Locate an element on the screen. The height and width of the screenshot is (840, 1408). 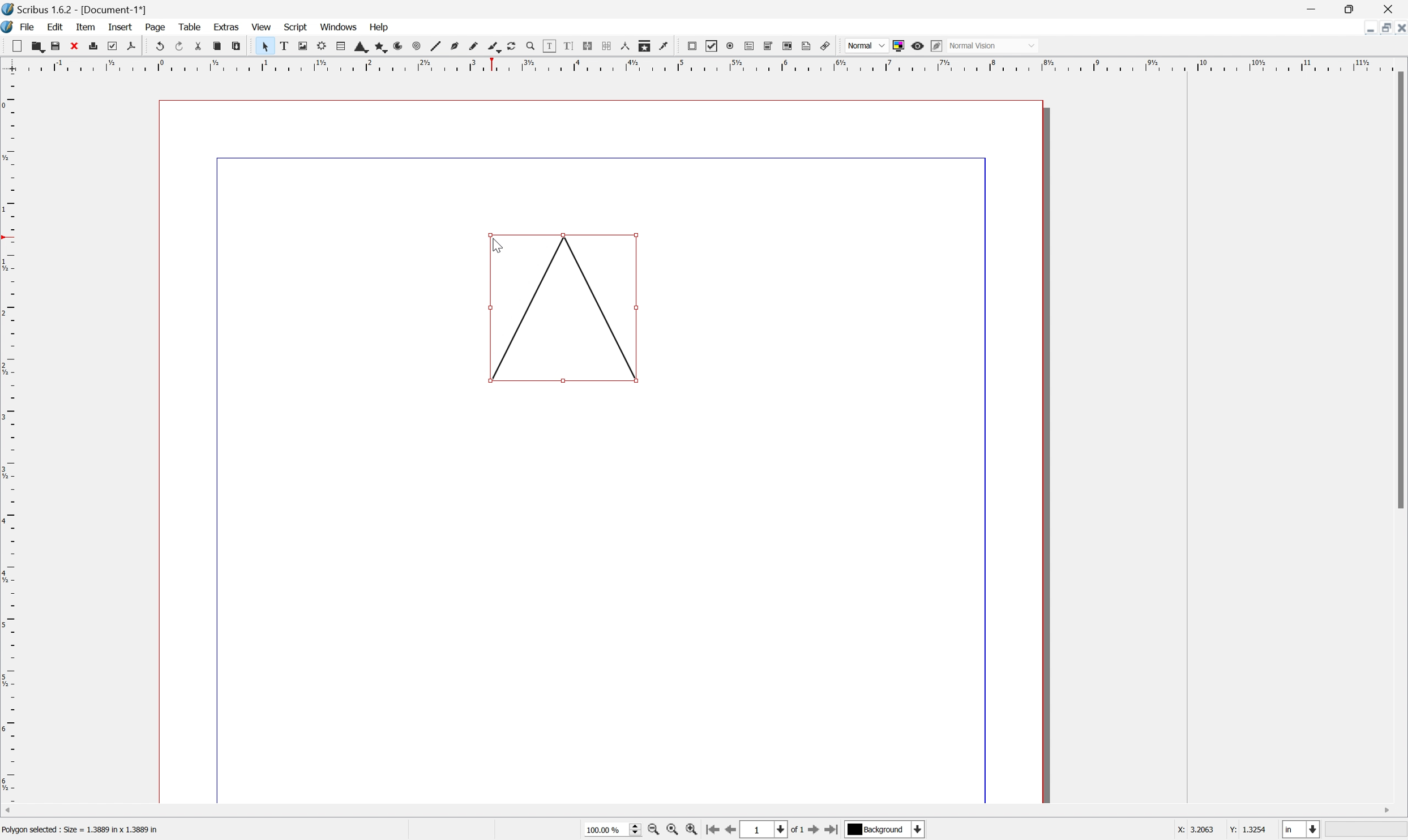
Go to next page is located at coordinates (814, 830).